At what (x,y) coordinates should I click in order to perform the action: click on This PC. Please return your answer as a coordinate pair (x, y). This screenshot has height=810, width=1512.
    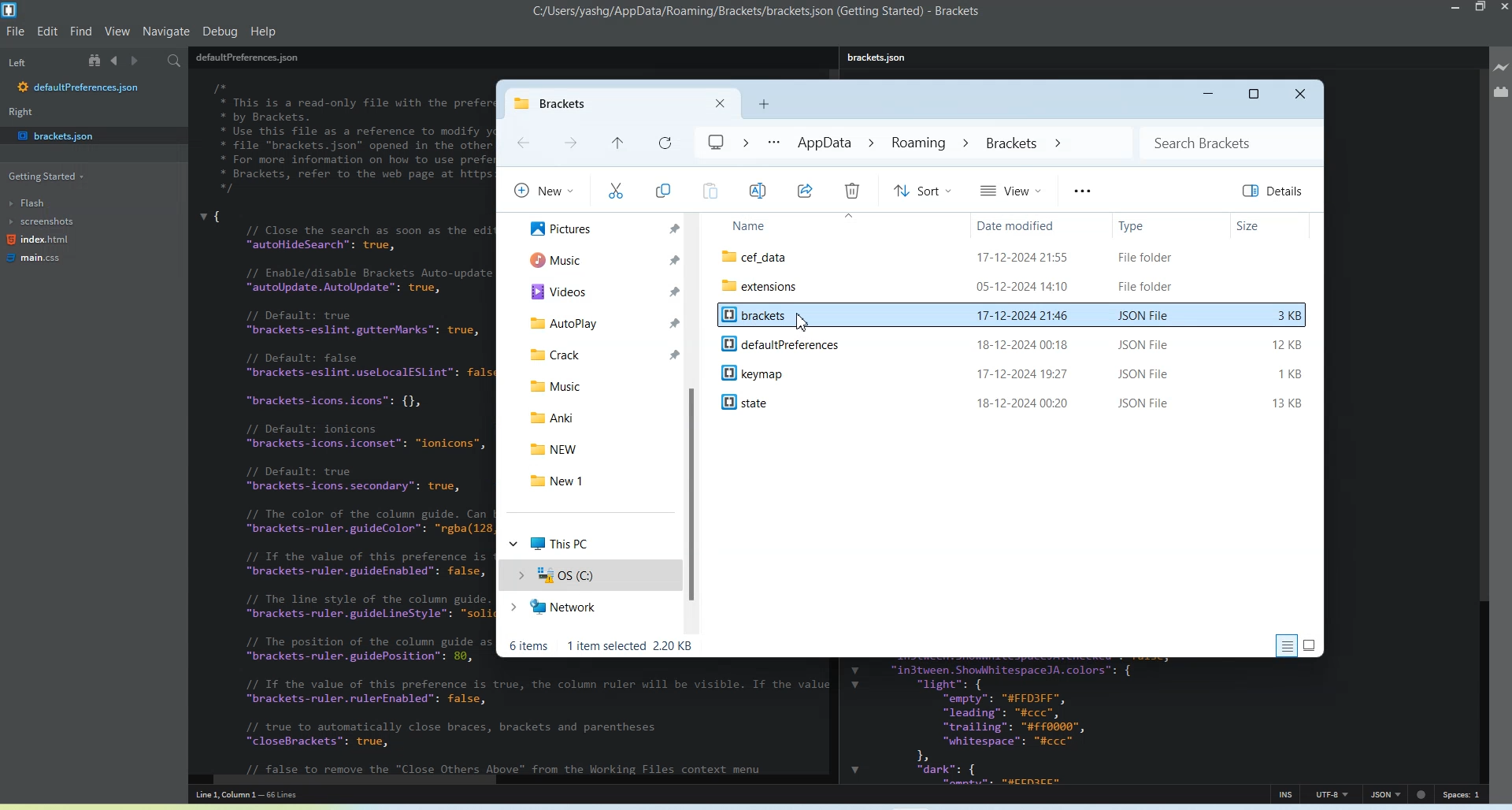
    Looking at the image, I should click on (590, 541).